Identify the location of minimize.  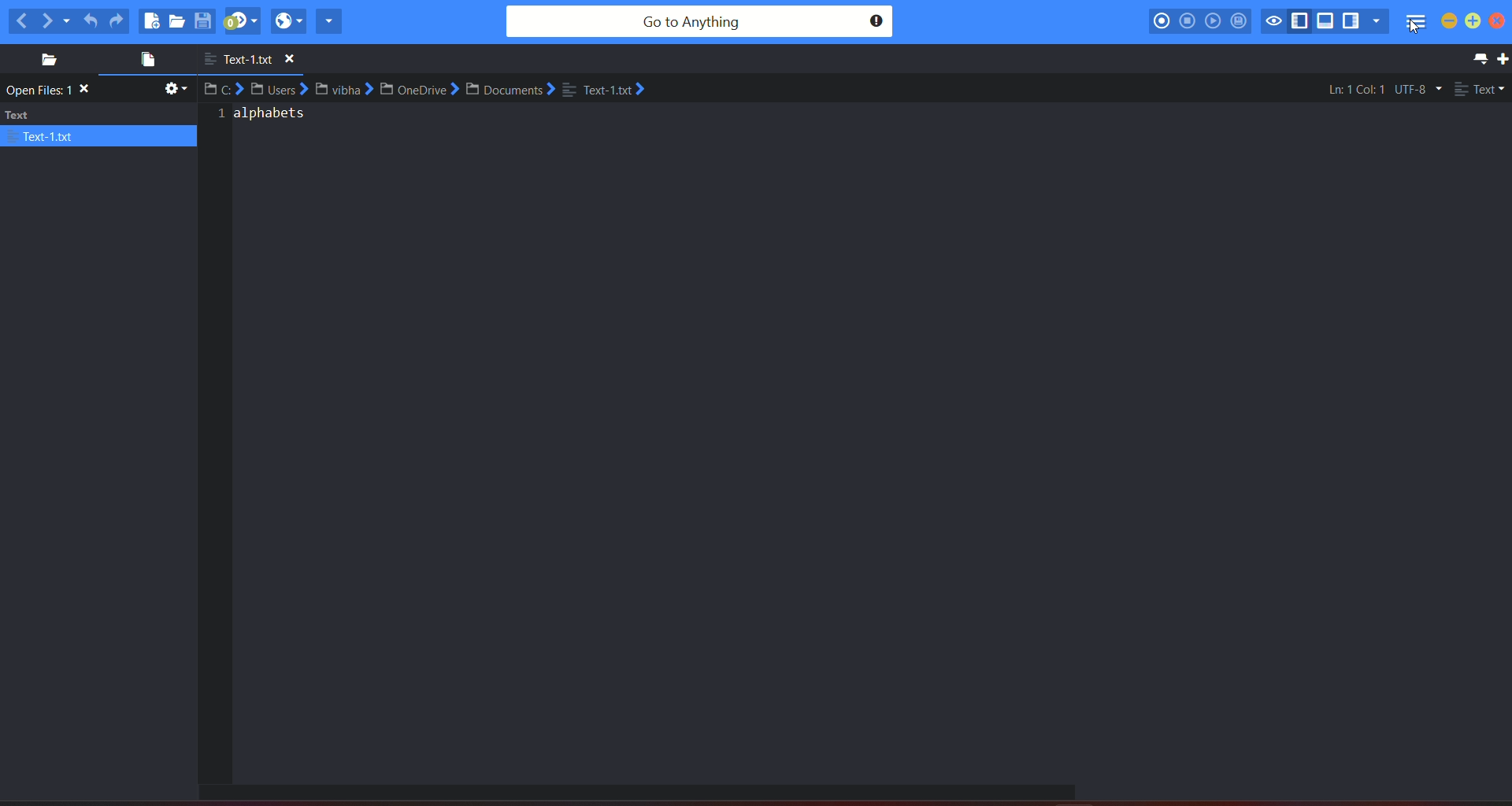
(1449, 21).